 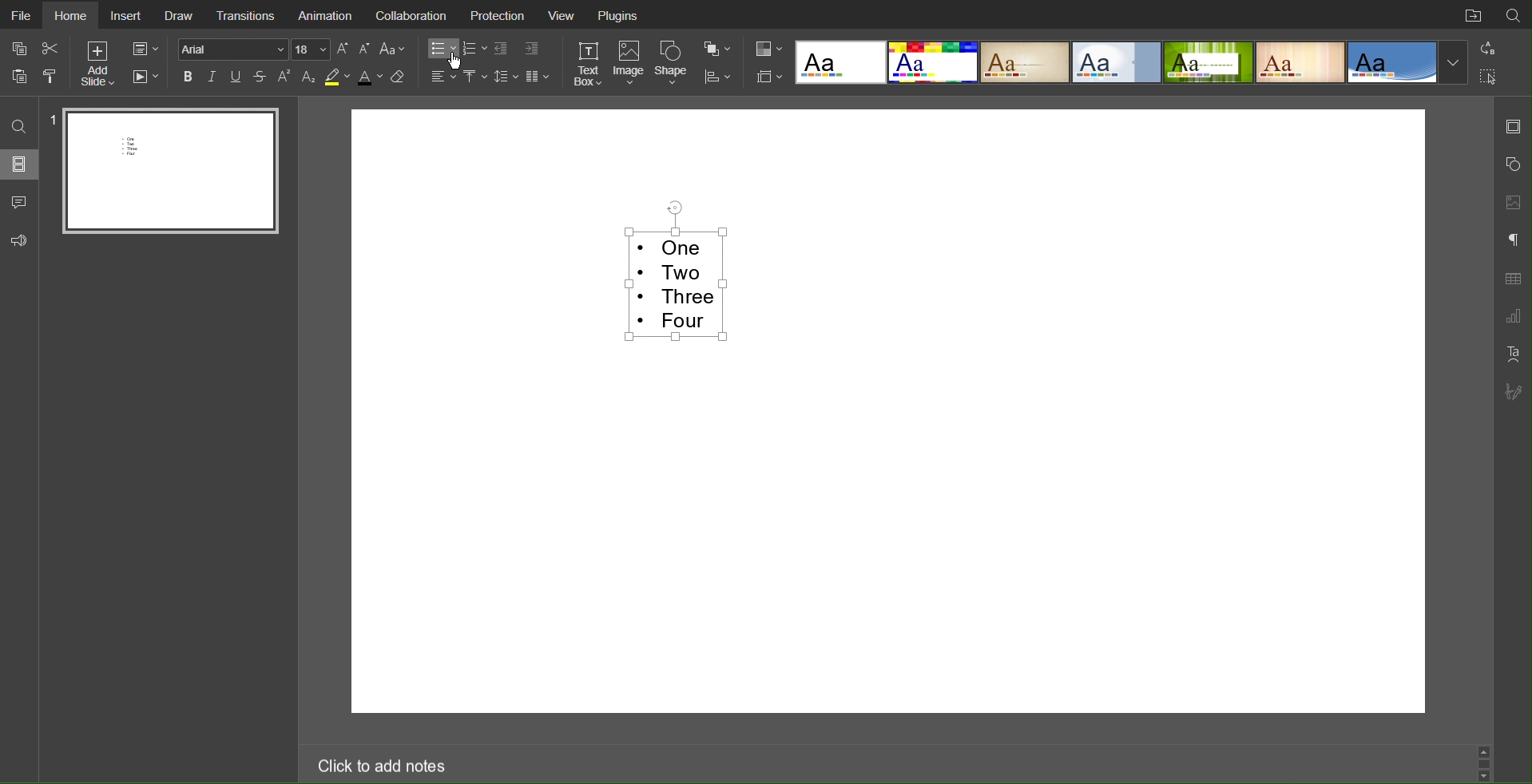 What do you see at coordinates (1473, 14) in the screenshot?
I see `Open File Location` at bounding box center [1473, 14].